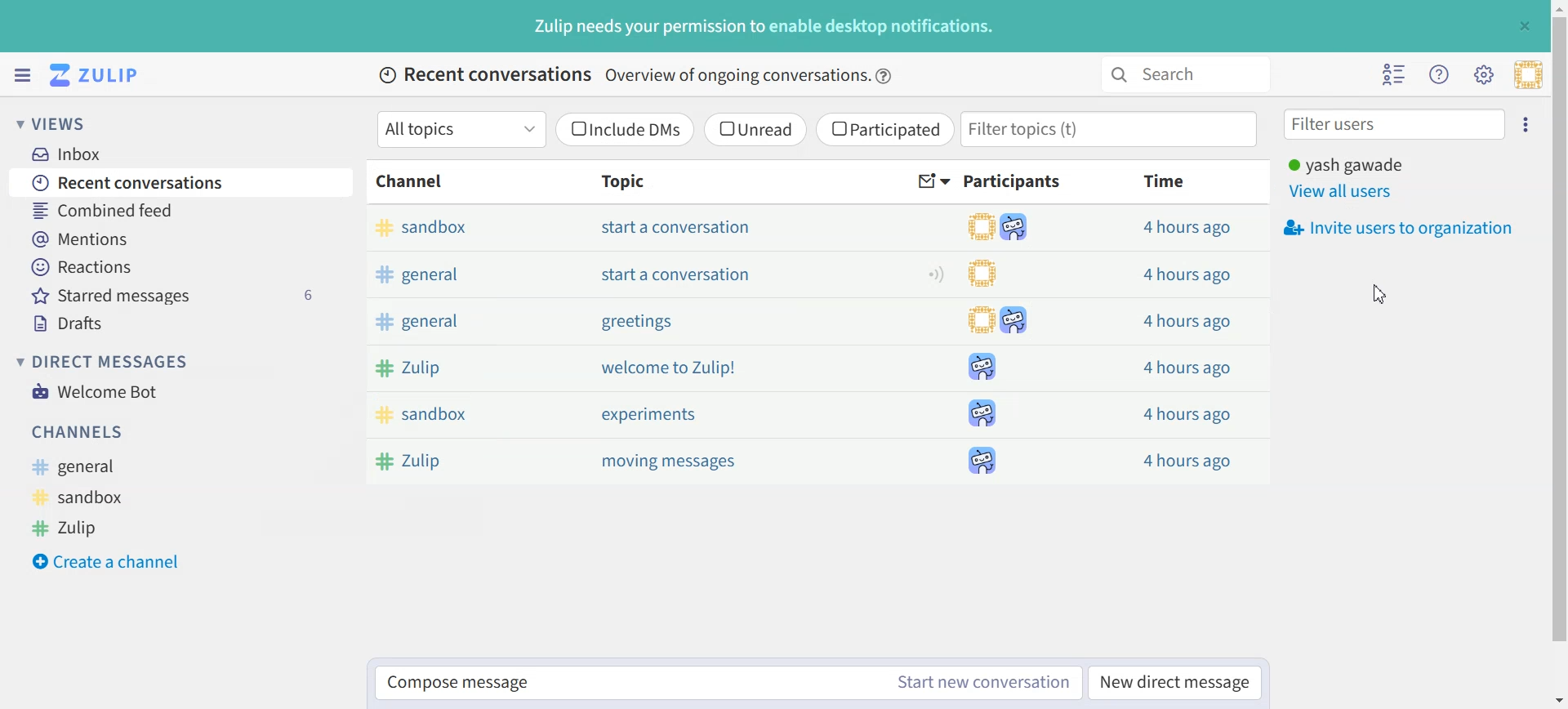 Image resolution: width=1568 pixels, height=709 pixels. What do you see at coordinates (95, 390) in the screenshot?
I see `Welcome Bot` at bounding box center [95, 390].